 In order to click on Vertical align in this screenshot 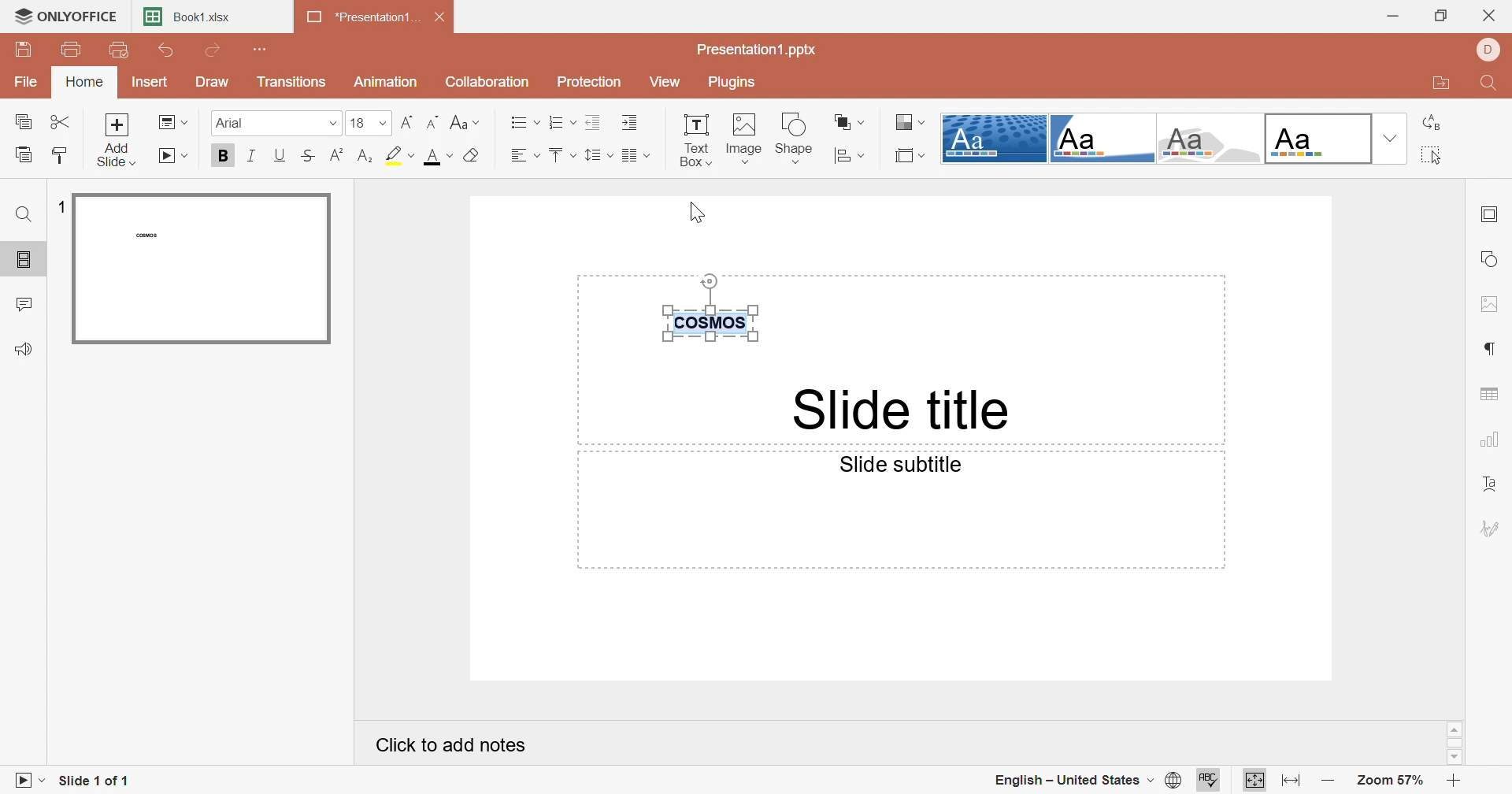, I will do `click(560, 154)`.